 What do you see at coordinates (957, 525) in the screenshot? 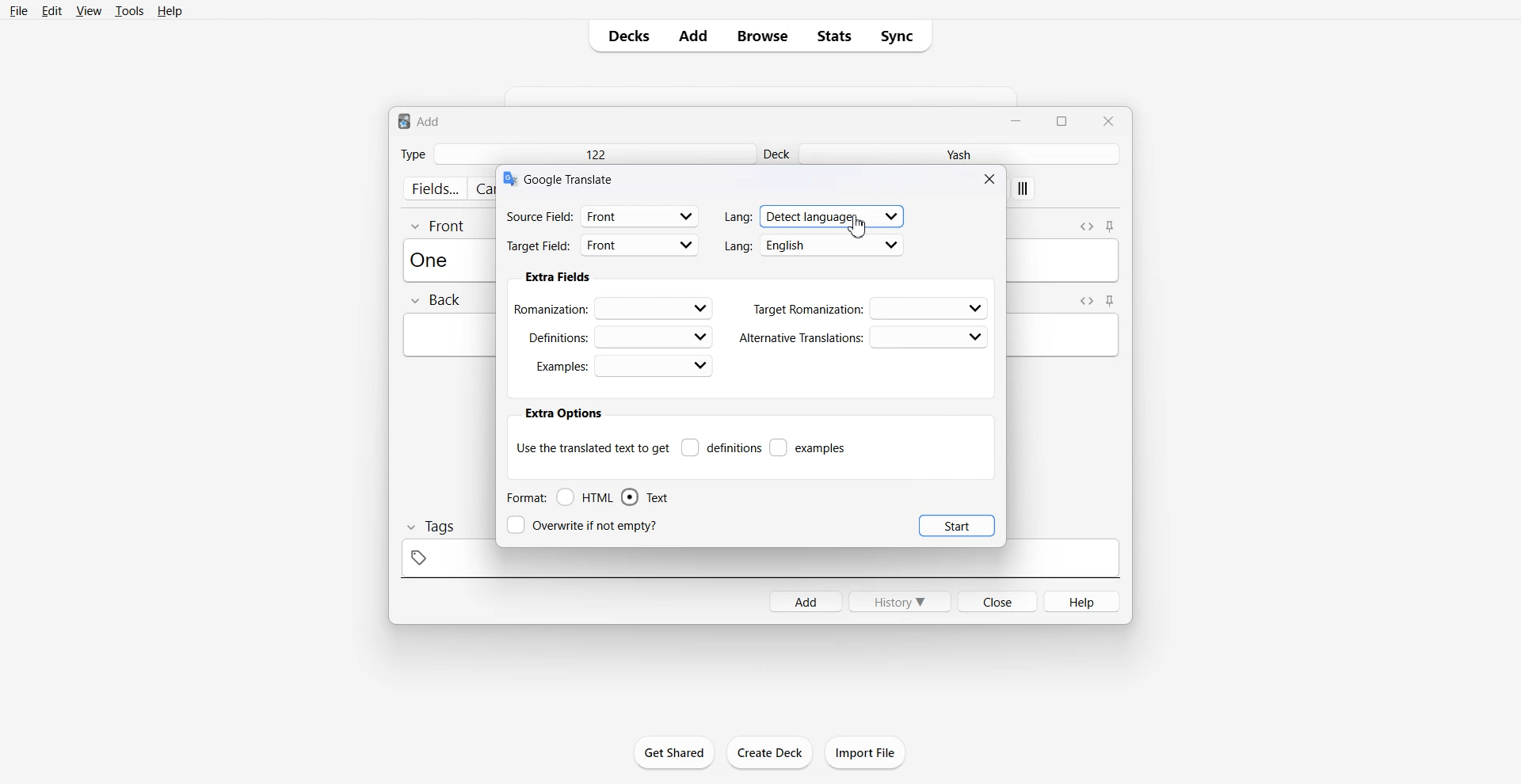
I see `Start` at bounding box center [957, 525].